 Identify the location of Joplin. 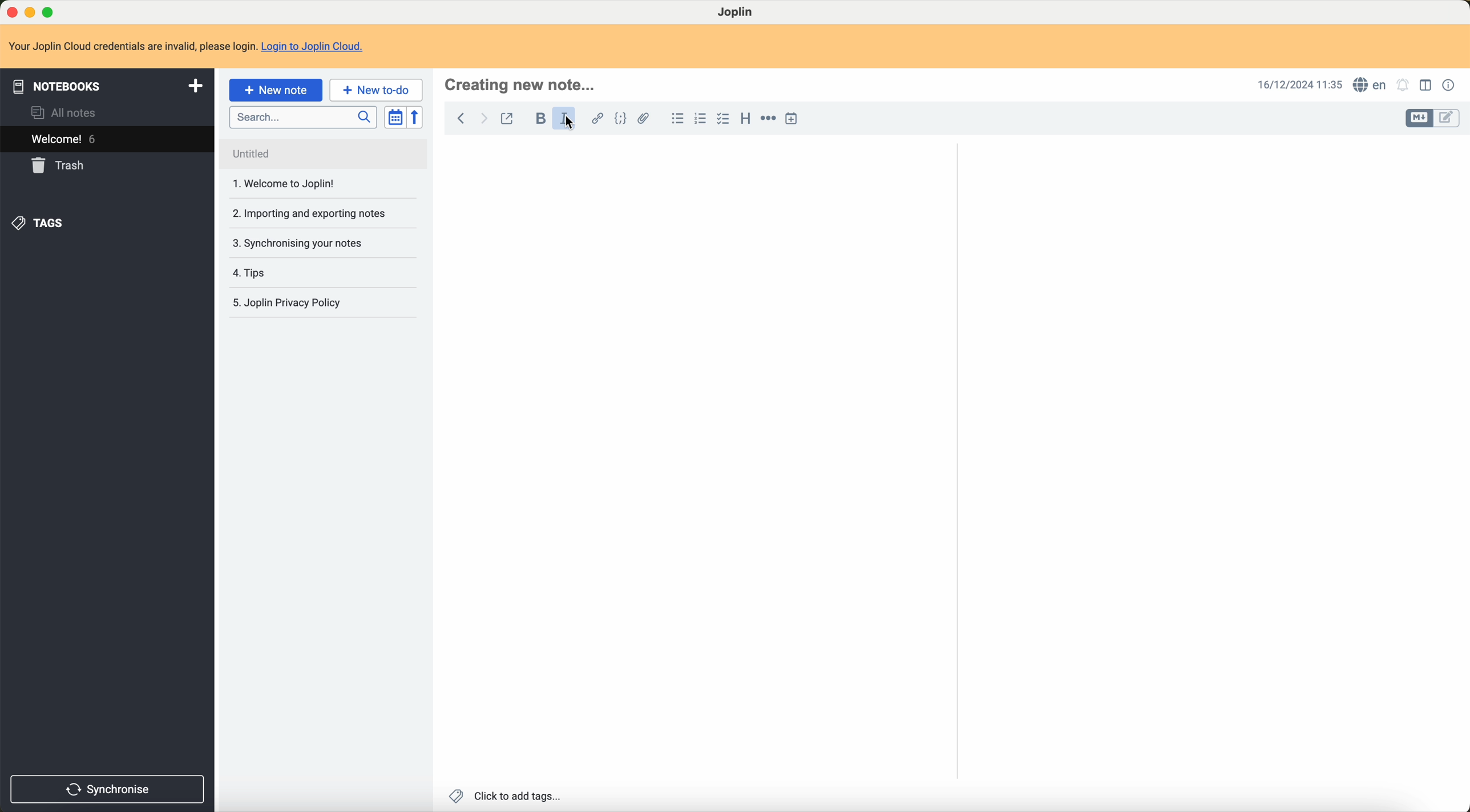
(738, 13).